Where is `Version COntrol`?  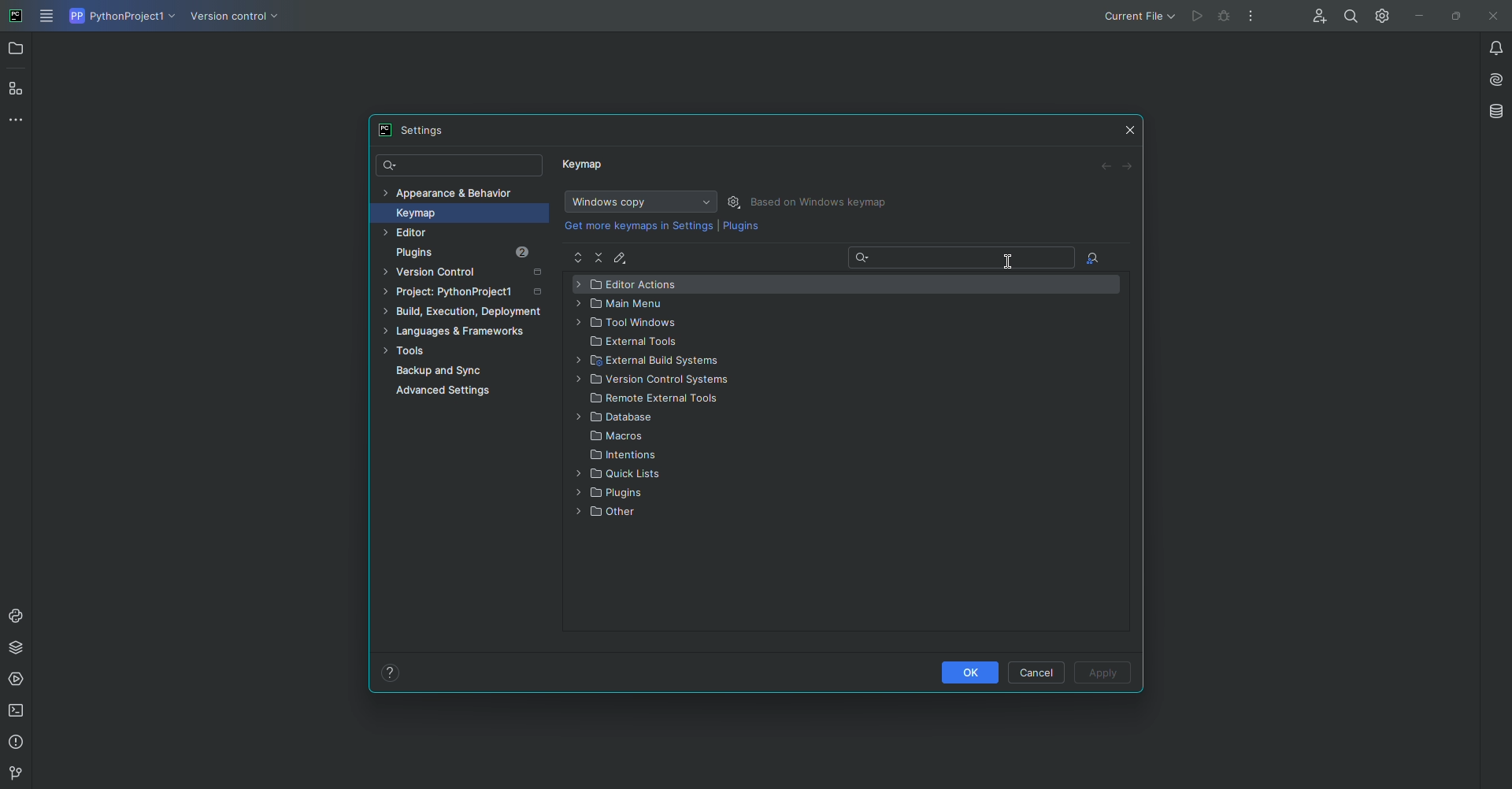 Version COntrol is located at coordinates (238, 19).